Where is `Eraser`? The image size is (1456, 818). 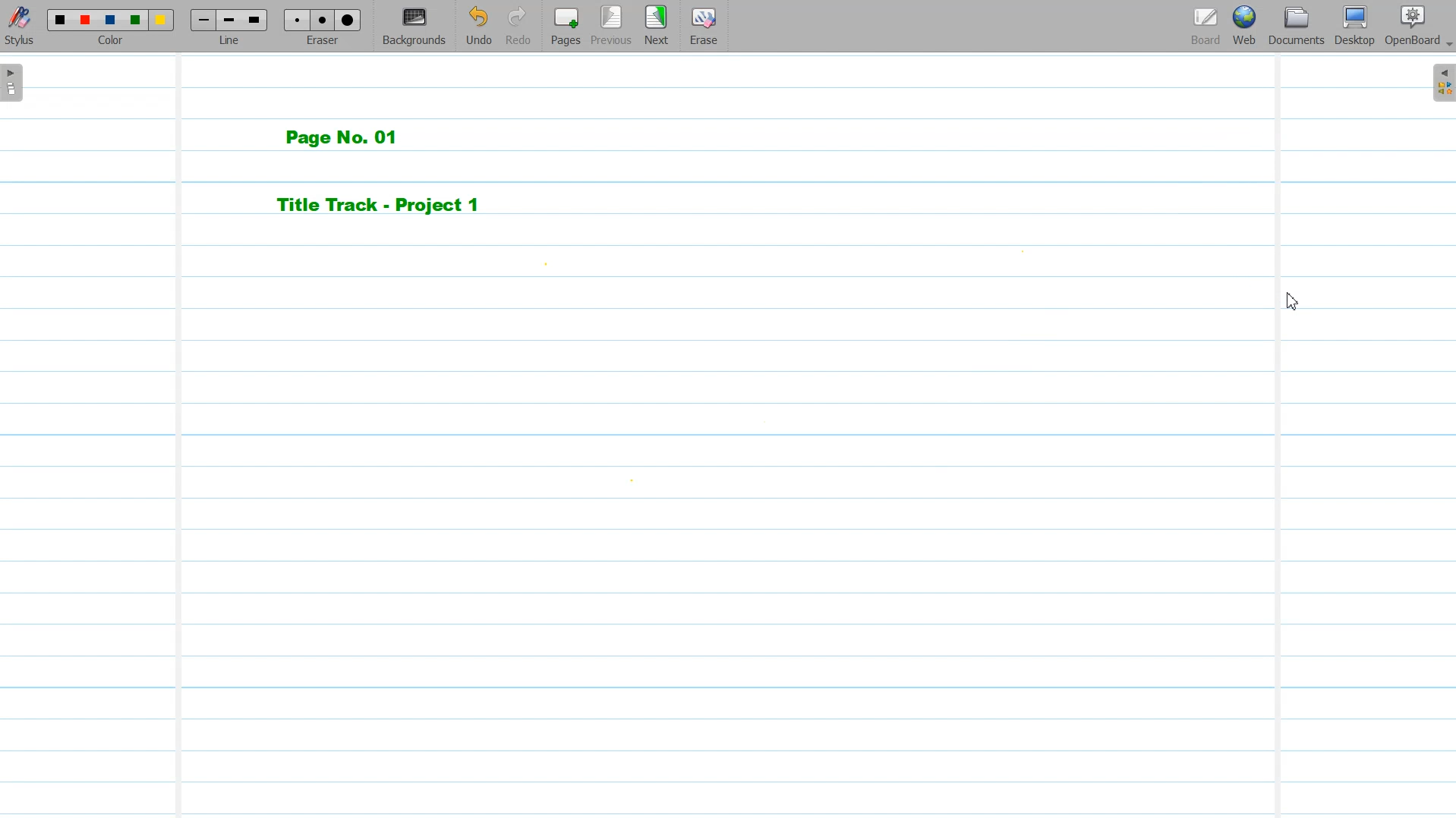
Eraser is located at coordinates (323, 27).